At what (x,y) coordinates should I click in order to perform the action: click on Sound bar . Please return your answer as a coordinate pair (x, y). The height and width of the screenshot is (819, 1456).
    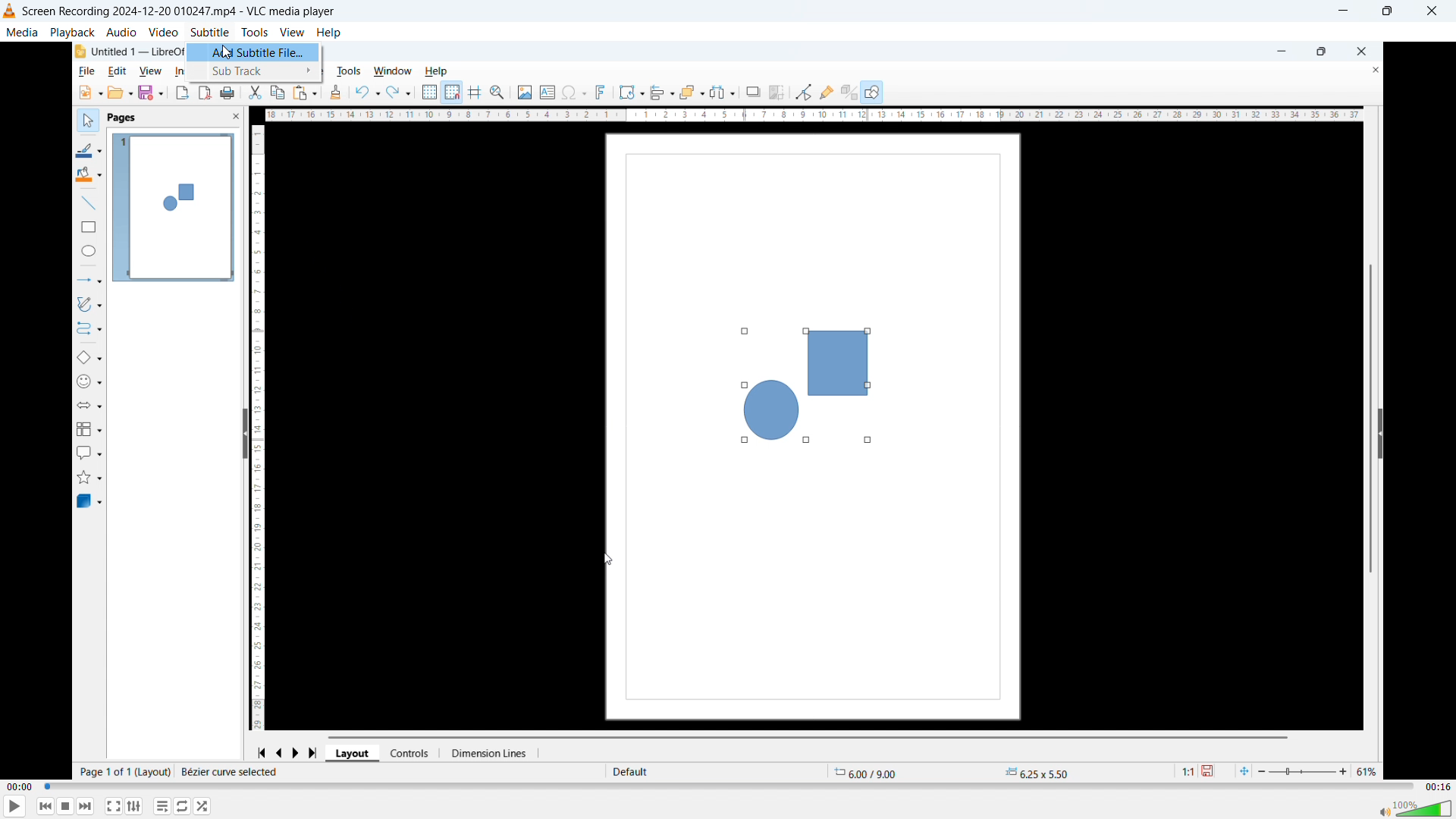
    Looking at the image, I should click on (1417, 808).